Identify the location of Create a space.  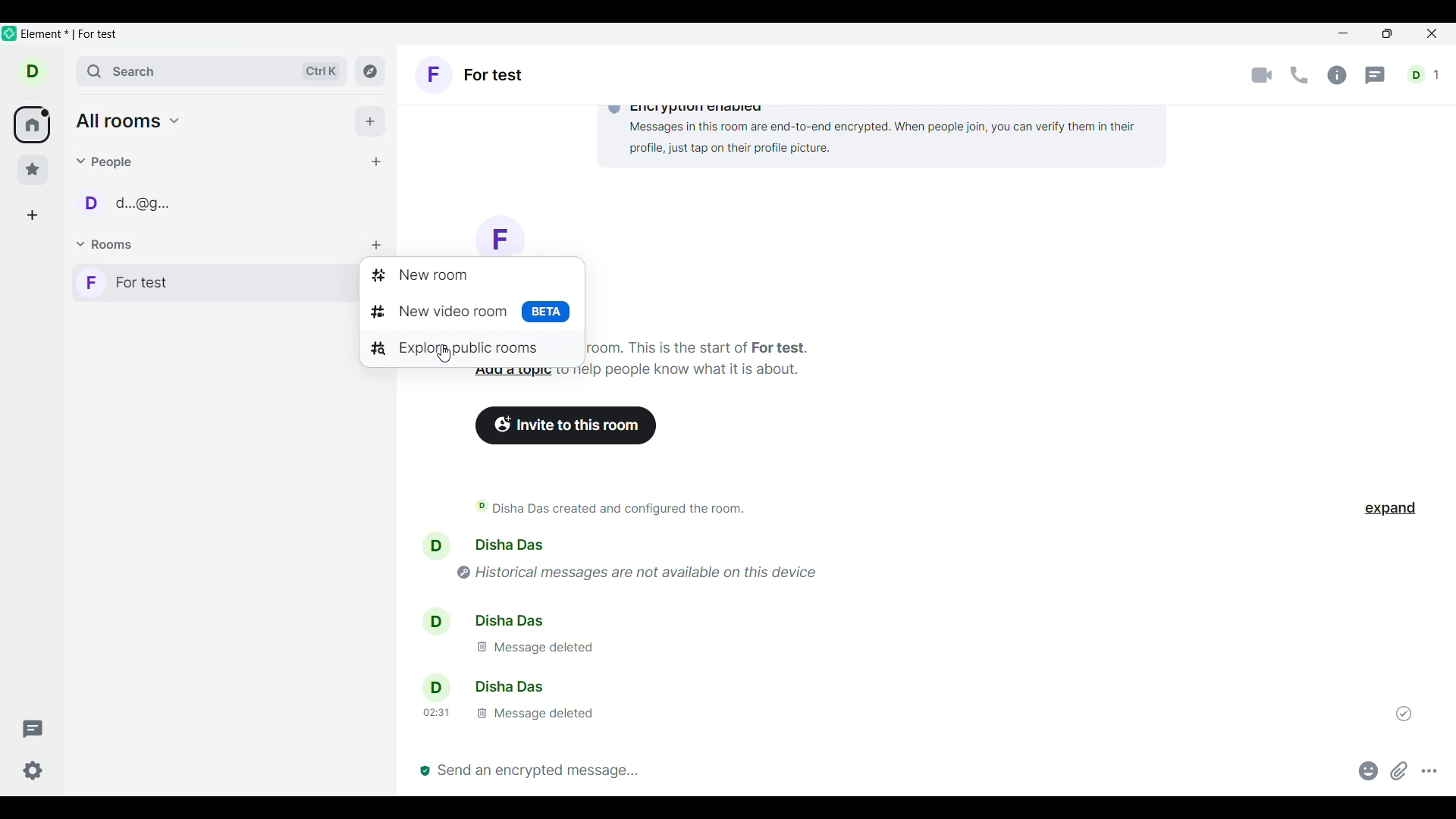
(32, 215).